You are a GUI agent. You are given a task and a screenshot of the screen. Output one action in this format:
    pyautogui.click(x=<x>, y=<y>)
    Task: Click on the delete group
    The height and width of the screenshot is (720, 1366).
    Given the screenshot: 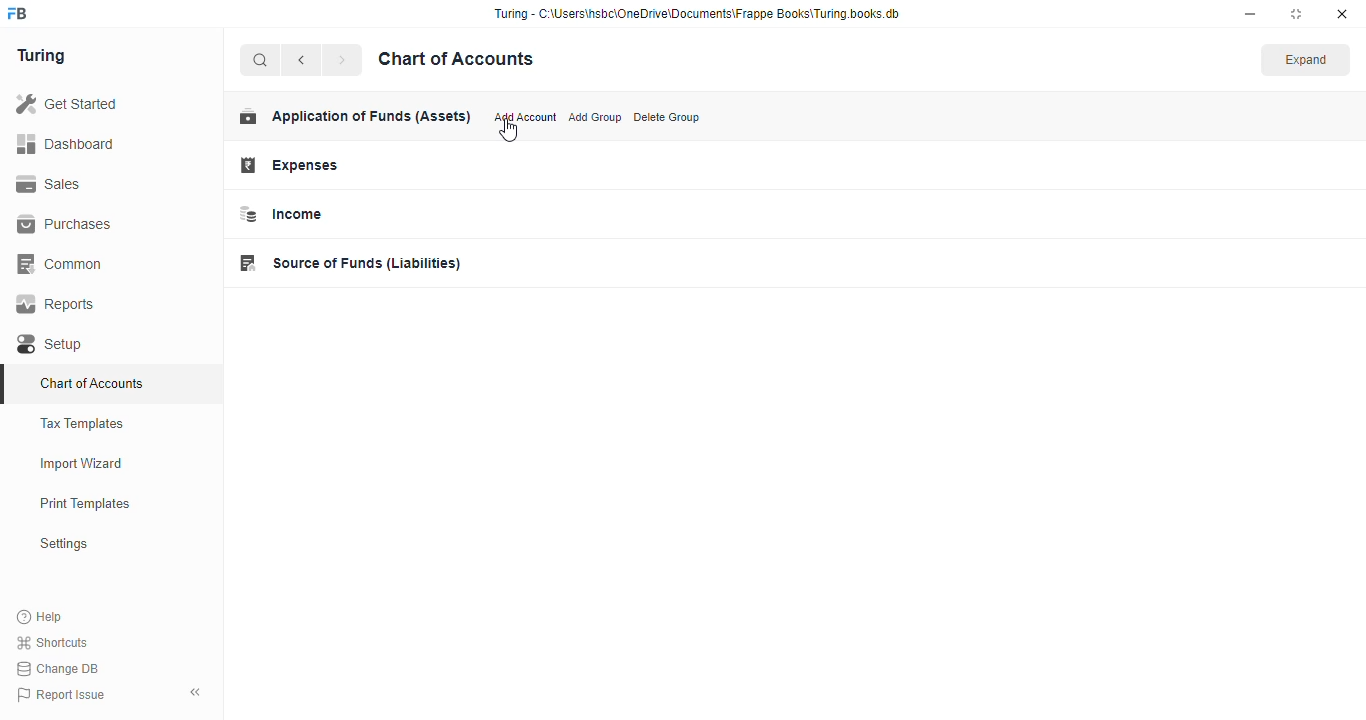 What is the action you would take?
    pyautogui.click(x=667, y=117)
    